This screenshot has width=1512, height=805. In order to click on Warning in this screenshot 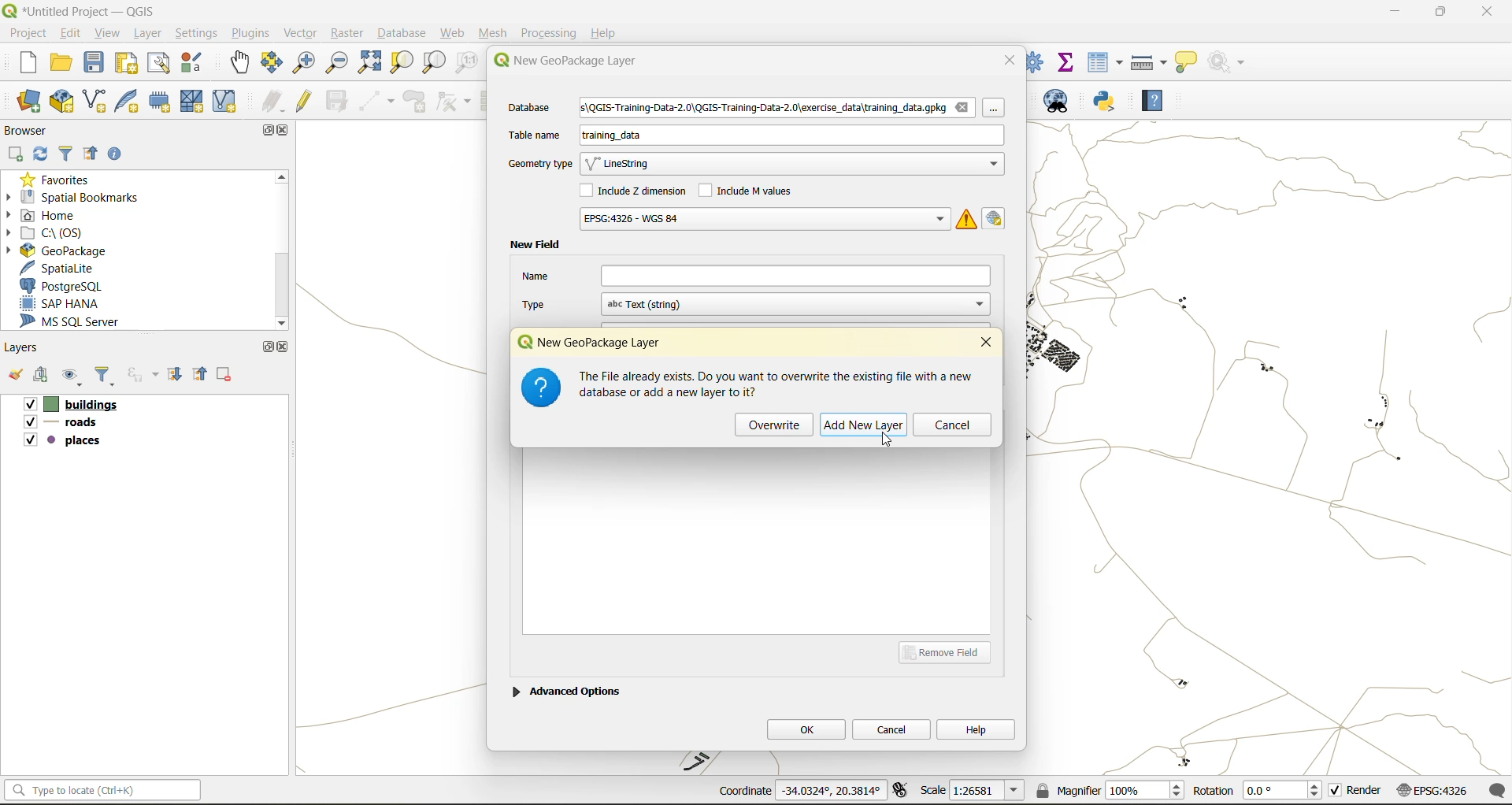, I will do `click(967, 218)`.